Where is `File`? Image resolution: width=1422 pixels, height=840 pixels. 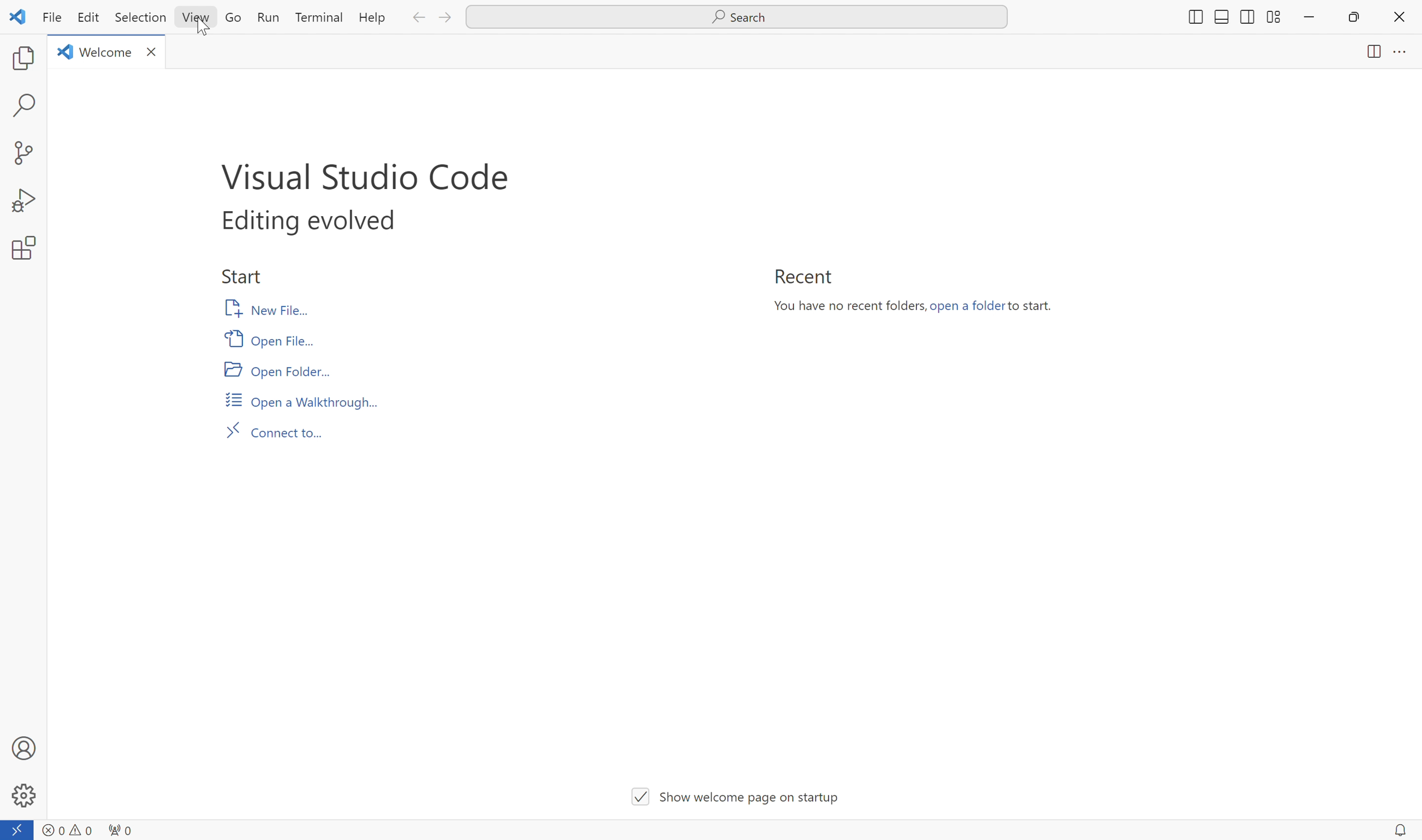 File is located at coordinates (53, 20).